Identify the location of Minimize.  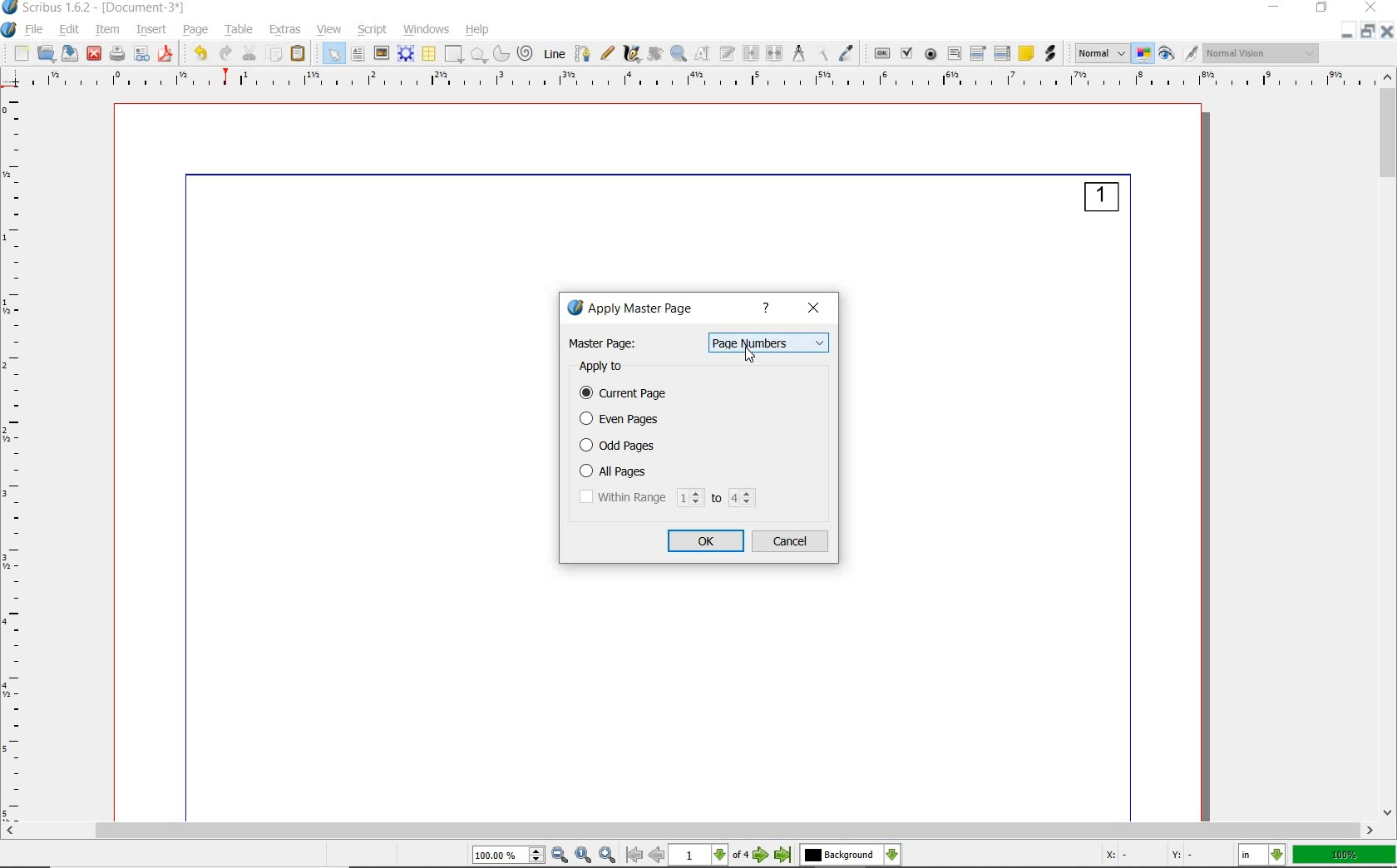
(1348, 32).